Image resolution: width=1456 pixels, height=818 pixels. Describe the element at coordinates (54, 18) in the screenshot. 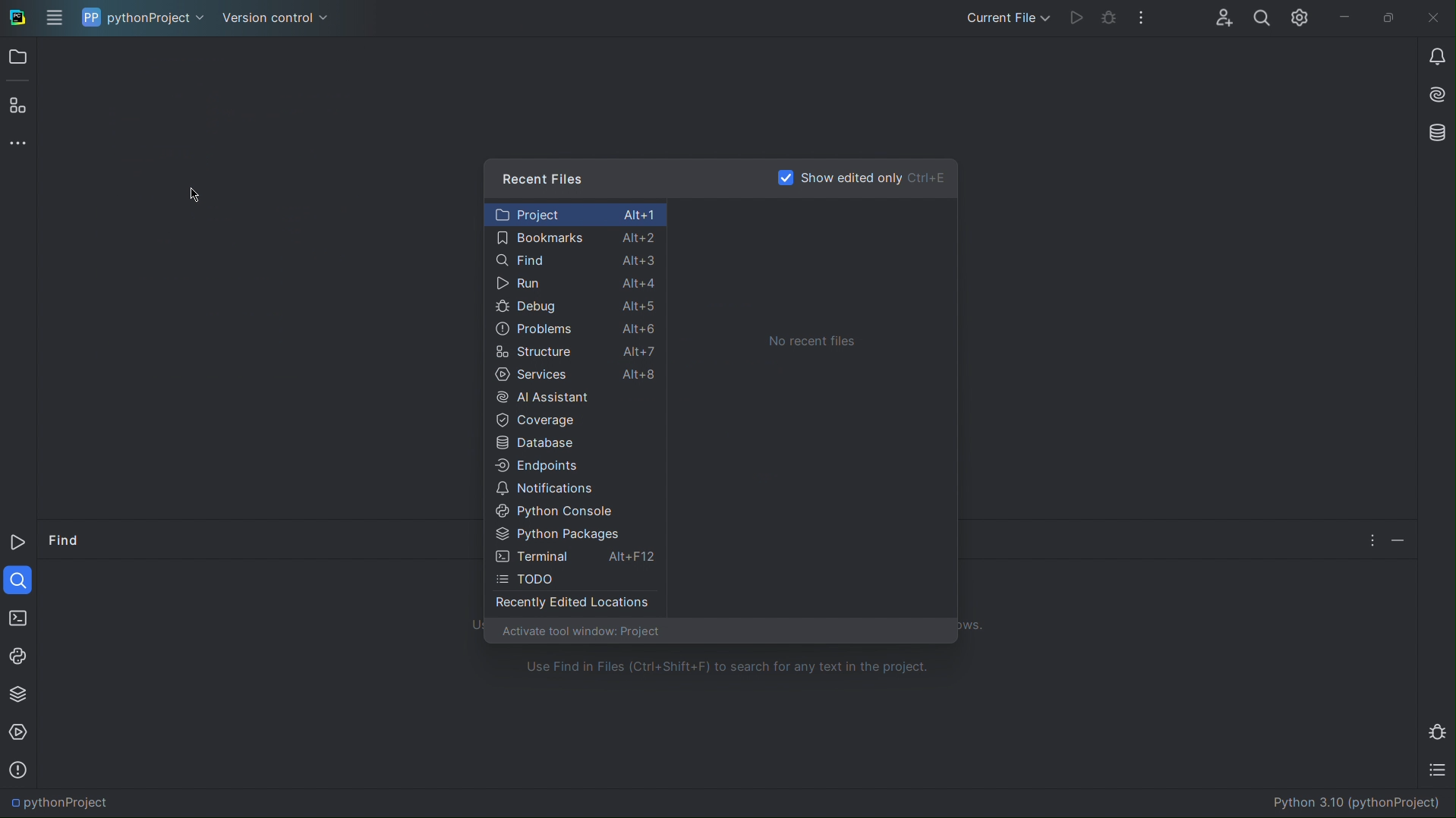

I see `File ` at that location.